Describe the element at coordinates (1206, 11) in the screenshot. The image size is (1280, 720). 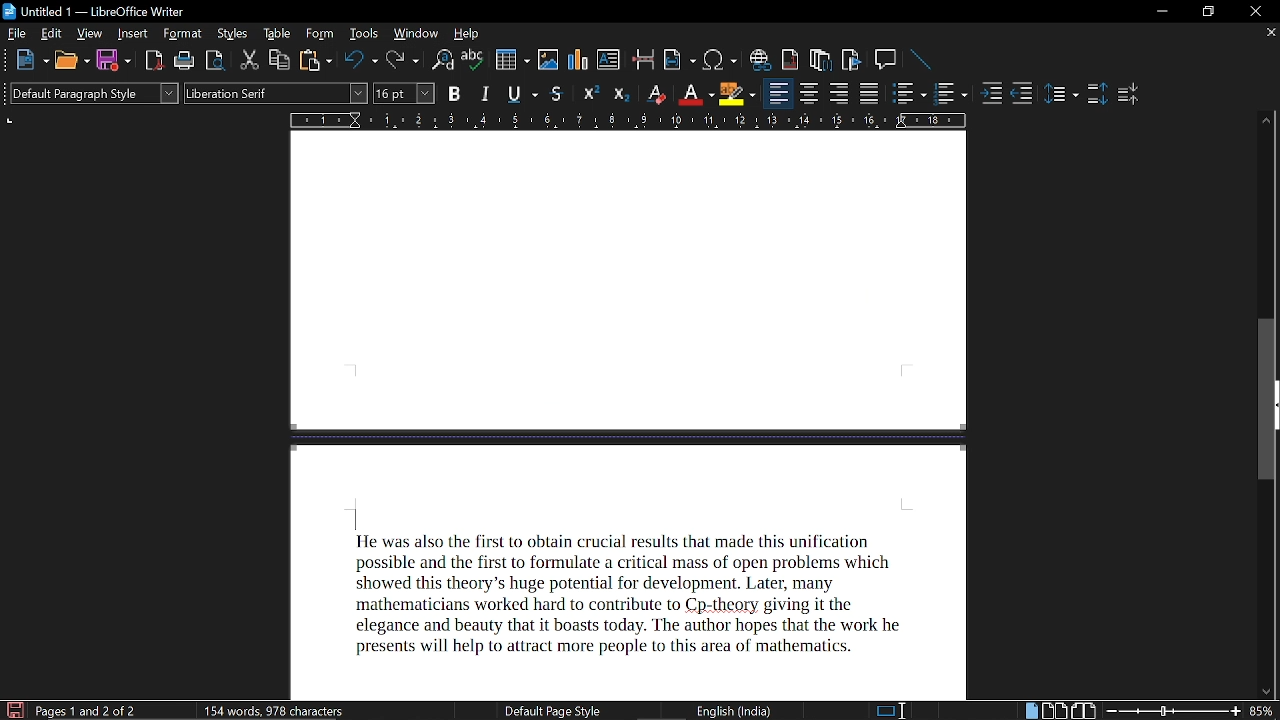
I see `restore down` at that location.